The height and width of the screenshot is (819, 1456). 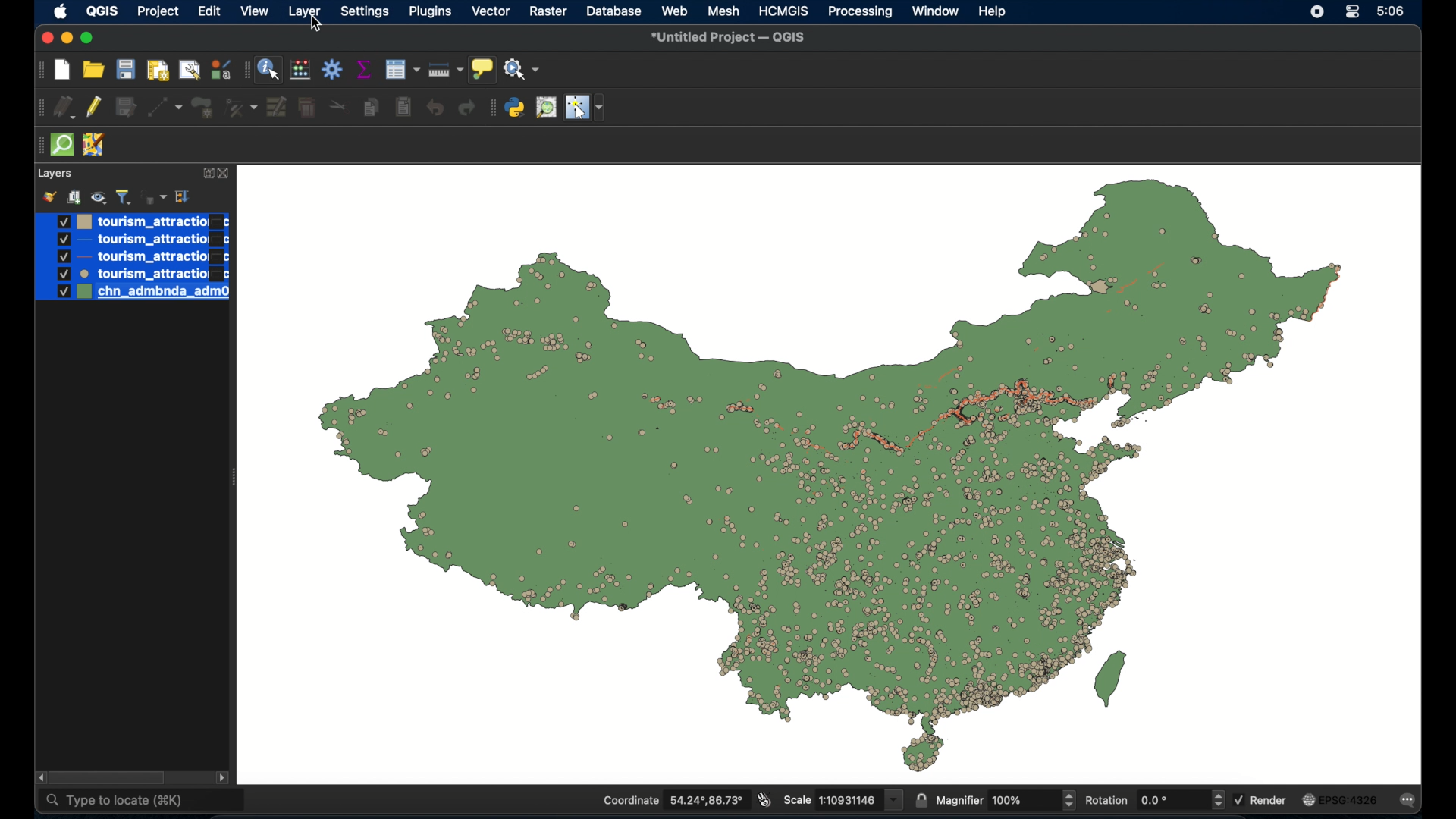 I want to click on project, so click(x=155, y=11).